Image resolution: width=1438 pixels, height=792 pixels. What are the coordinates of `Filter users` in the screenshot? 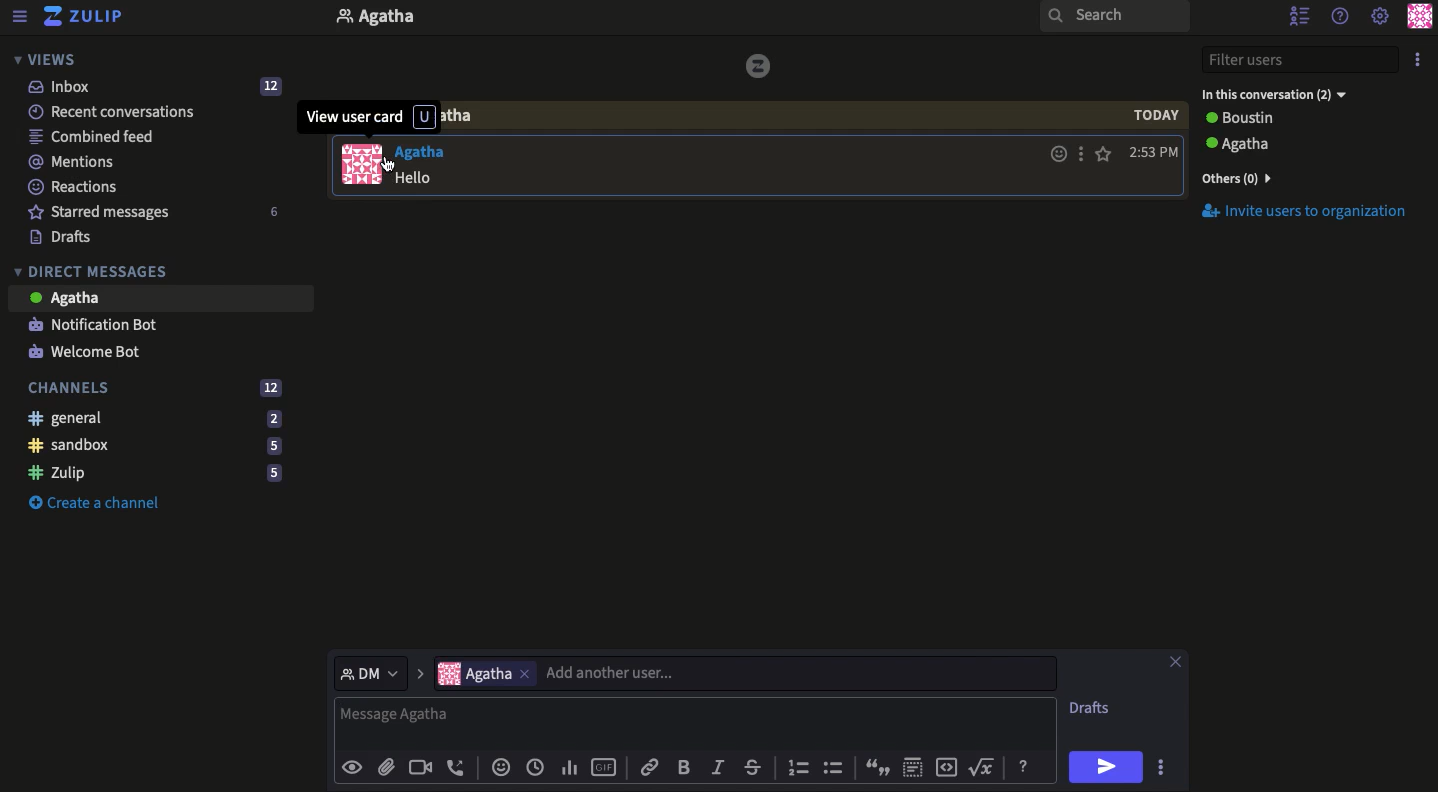 It's located at (1302, 58).